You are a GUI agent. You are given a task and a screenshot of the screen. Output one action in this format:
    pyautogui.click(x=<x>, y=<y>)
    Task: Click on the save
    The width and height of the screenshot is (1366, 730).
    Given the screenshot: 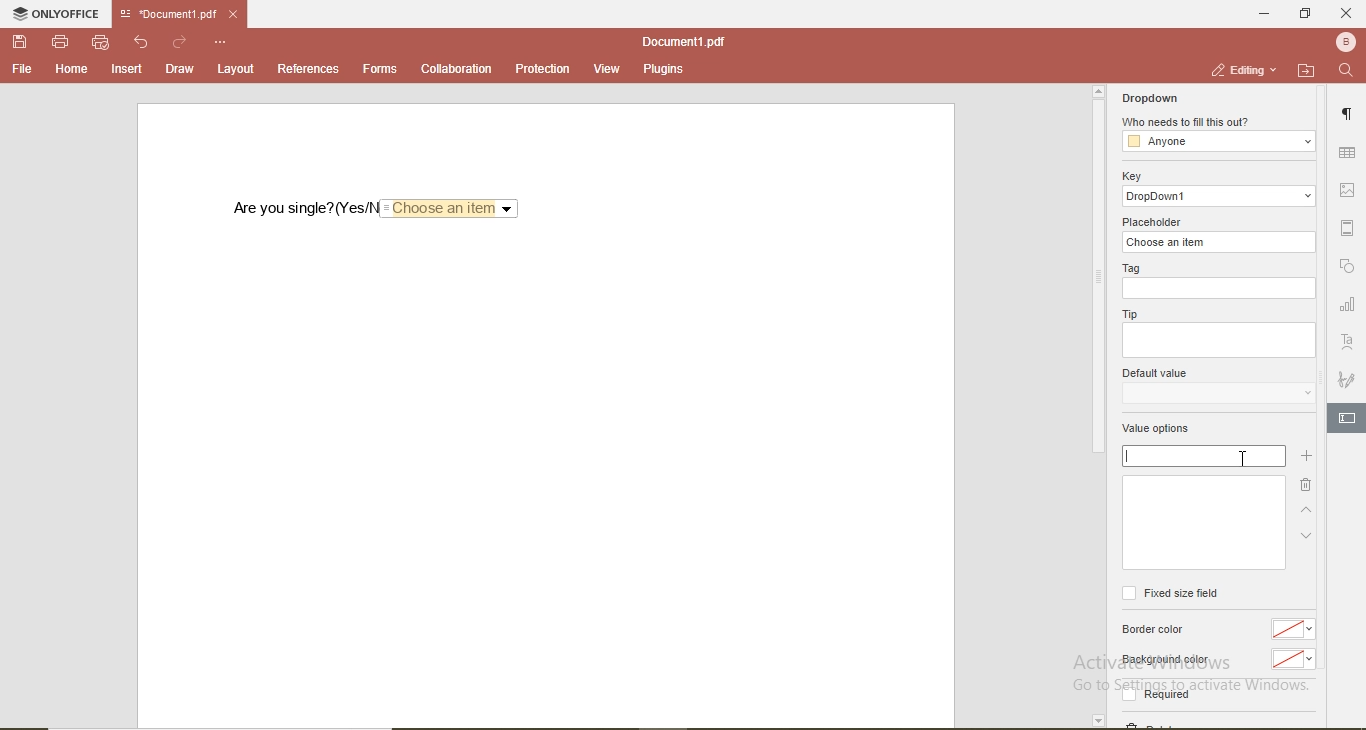 What is the action you would take?
    pyautogui.click(x=20, y=42)
    